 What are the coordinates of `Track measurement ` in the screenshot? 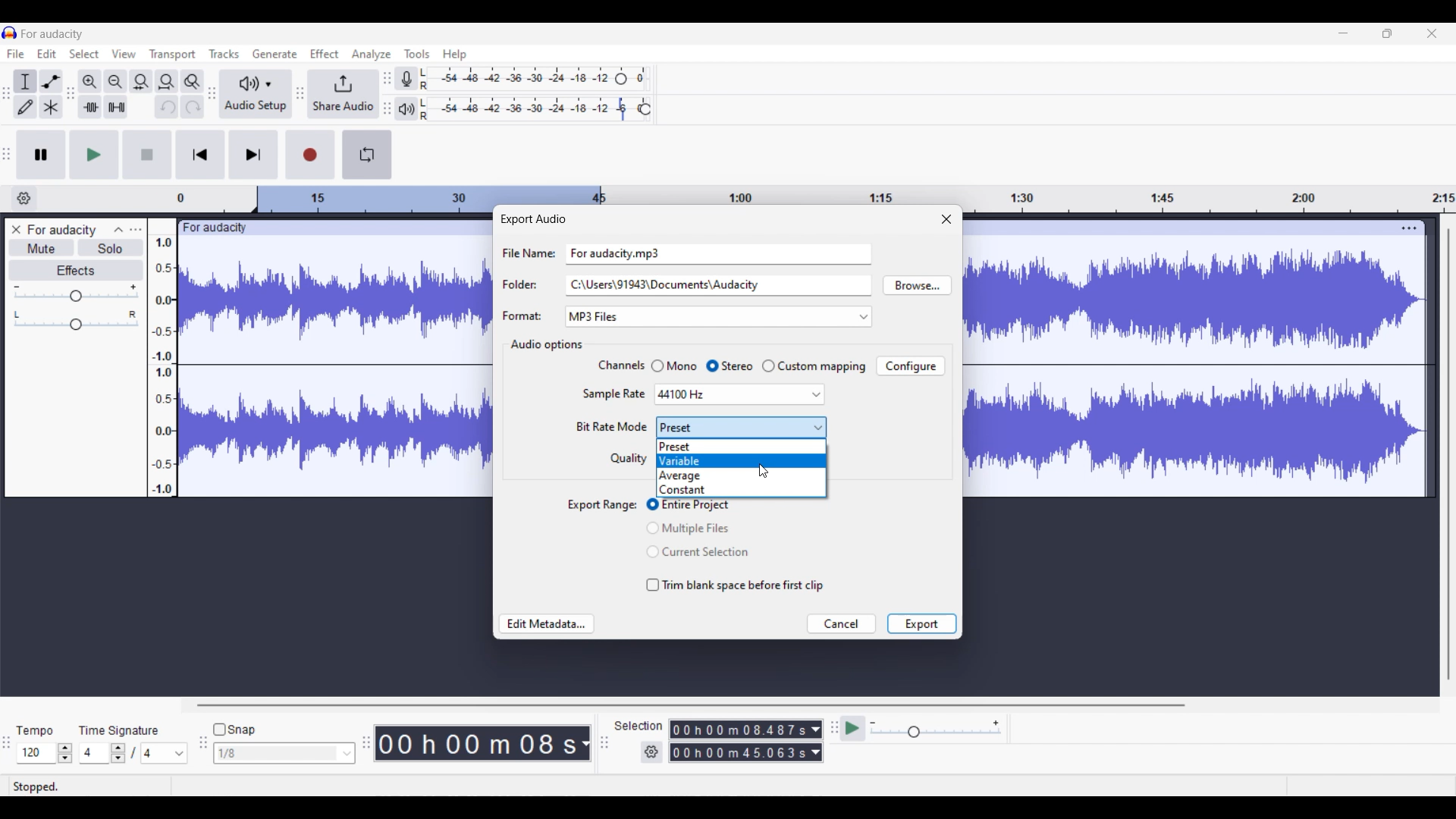 It's located at (584, 743).